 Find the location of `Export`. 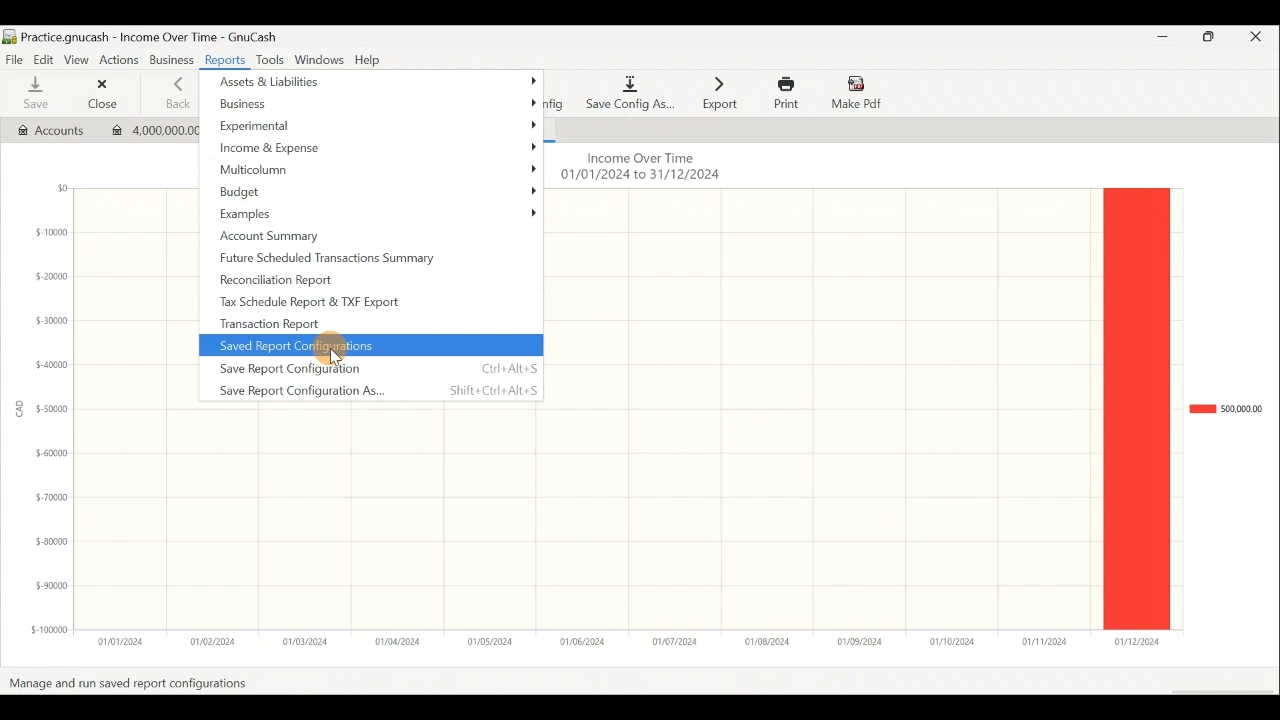

Export is located at coordinates (720, 92).